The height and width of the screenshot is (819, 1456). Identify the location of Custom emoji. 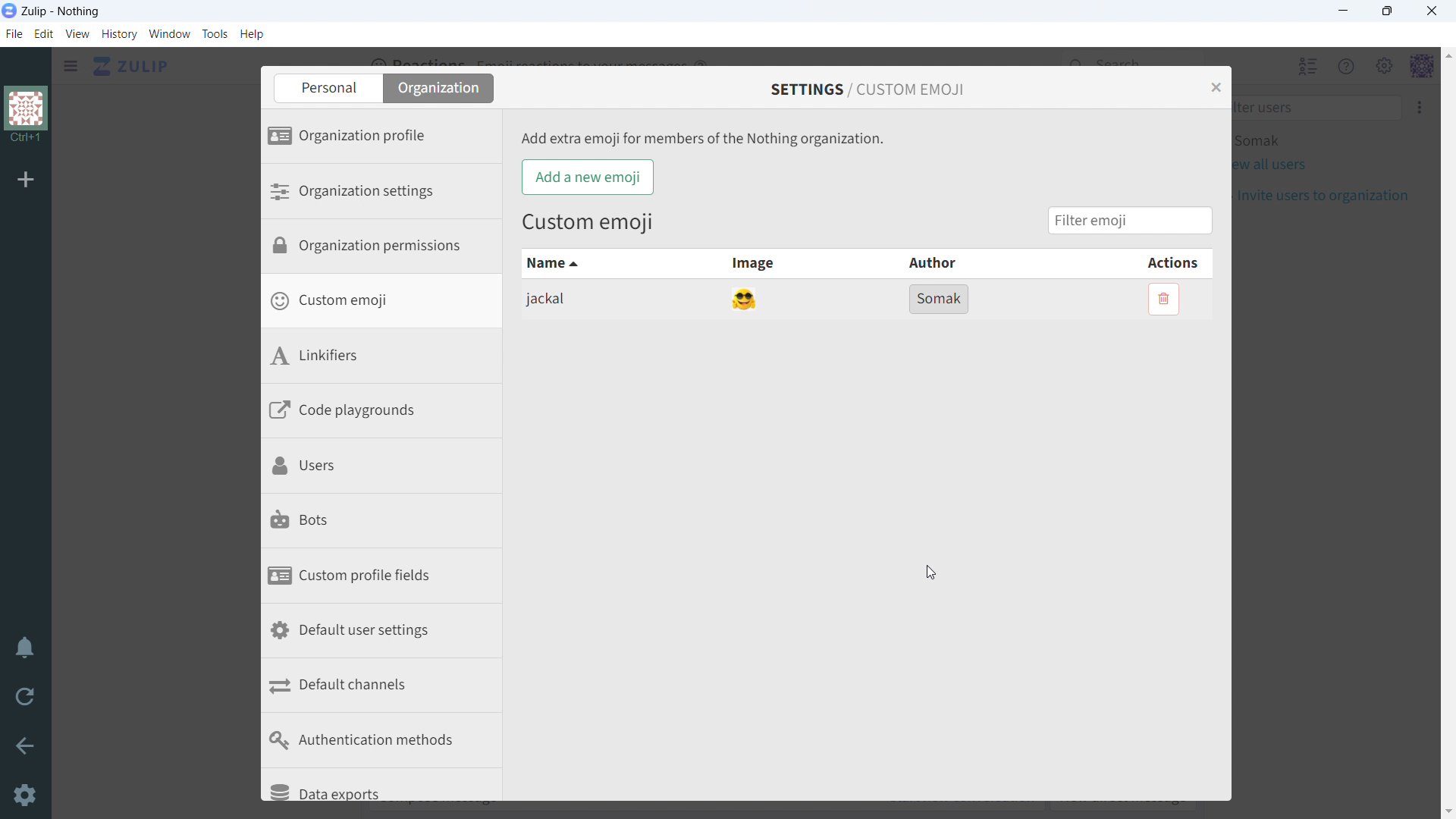
(596, 224).